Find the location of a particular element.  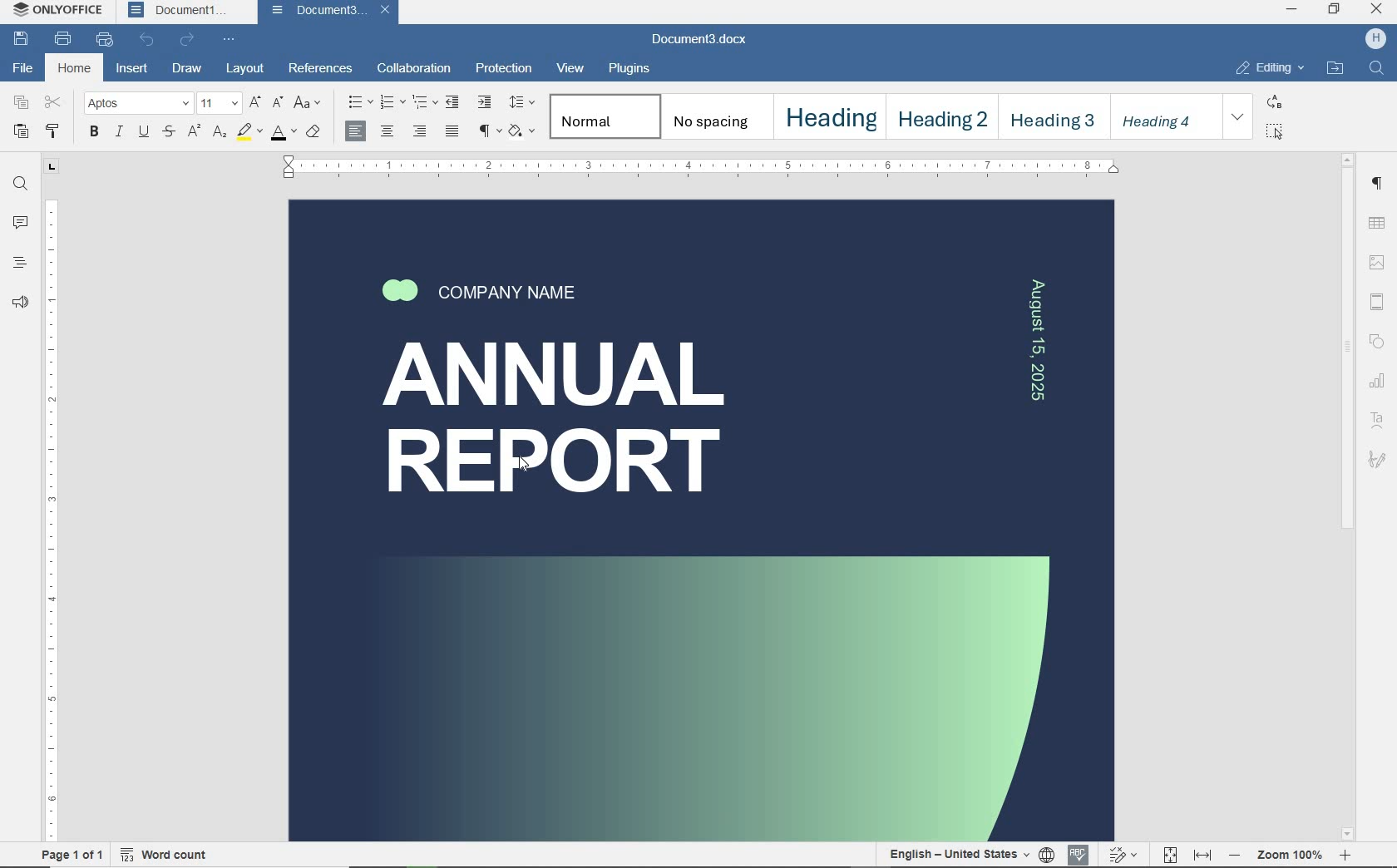

numbering is located at coordinates (392, 102).